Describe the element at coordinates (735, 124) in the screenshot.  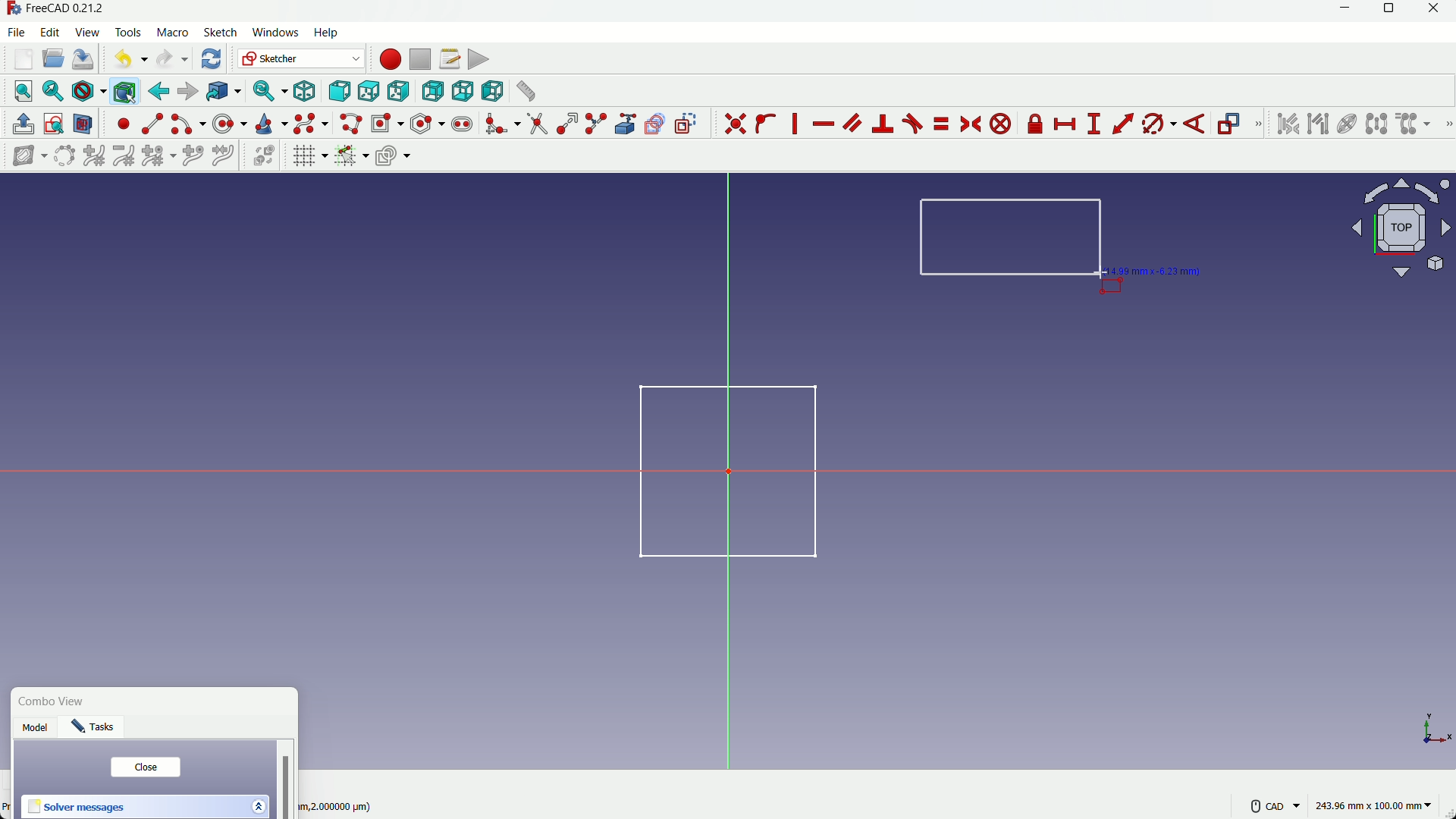
I see `constraint coincident` at that location.